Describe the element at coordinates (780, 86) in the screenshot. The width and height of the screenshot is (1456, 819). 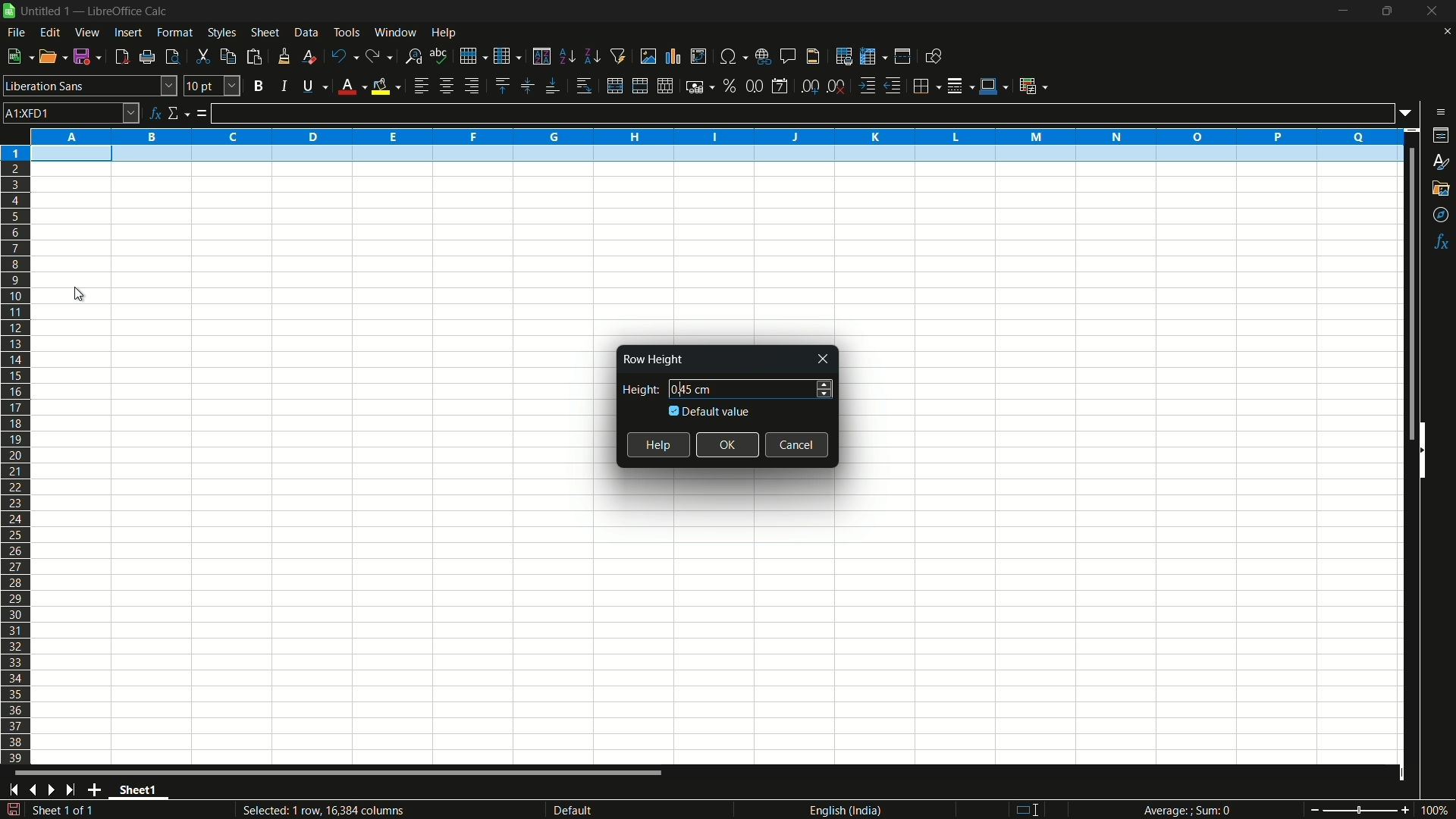
I see `format as date` at that location.